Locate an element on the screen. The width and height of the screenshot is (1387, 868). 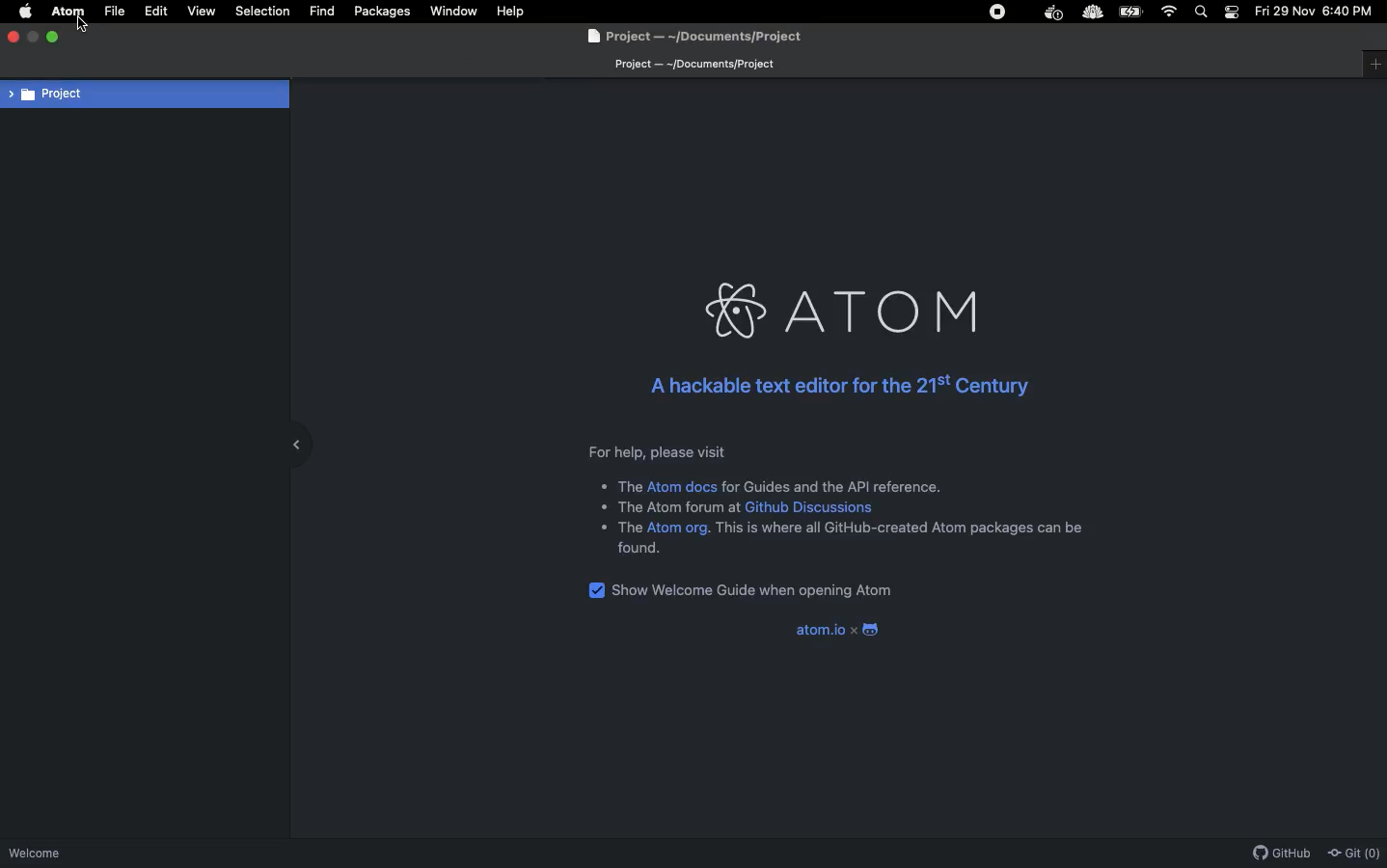
Notification is located at coordinates (1232, 12).